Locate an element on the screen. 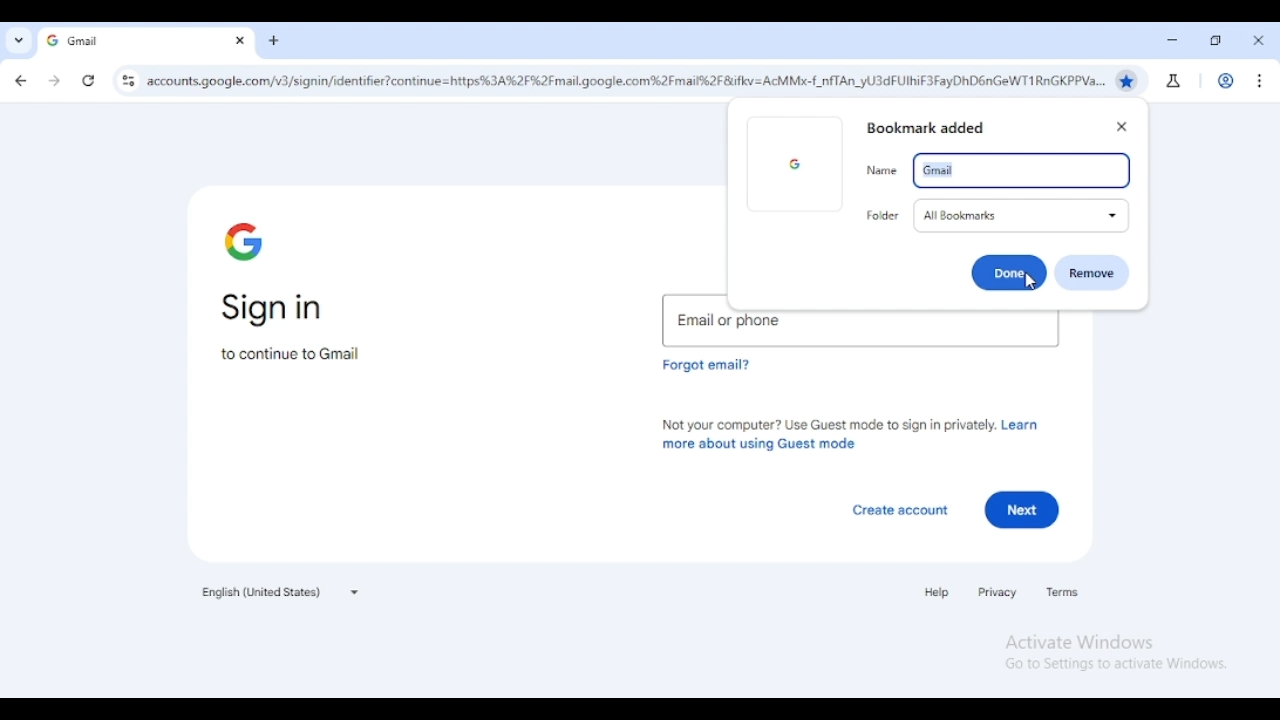  bookmark this tab is located at coordinates (1127, 82).